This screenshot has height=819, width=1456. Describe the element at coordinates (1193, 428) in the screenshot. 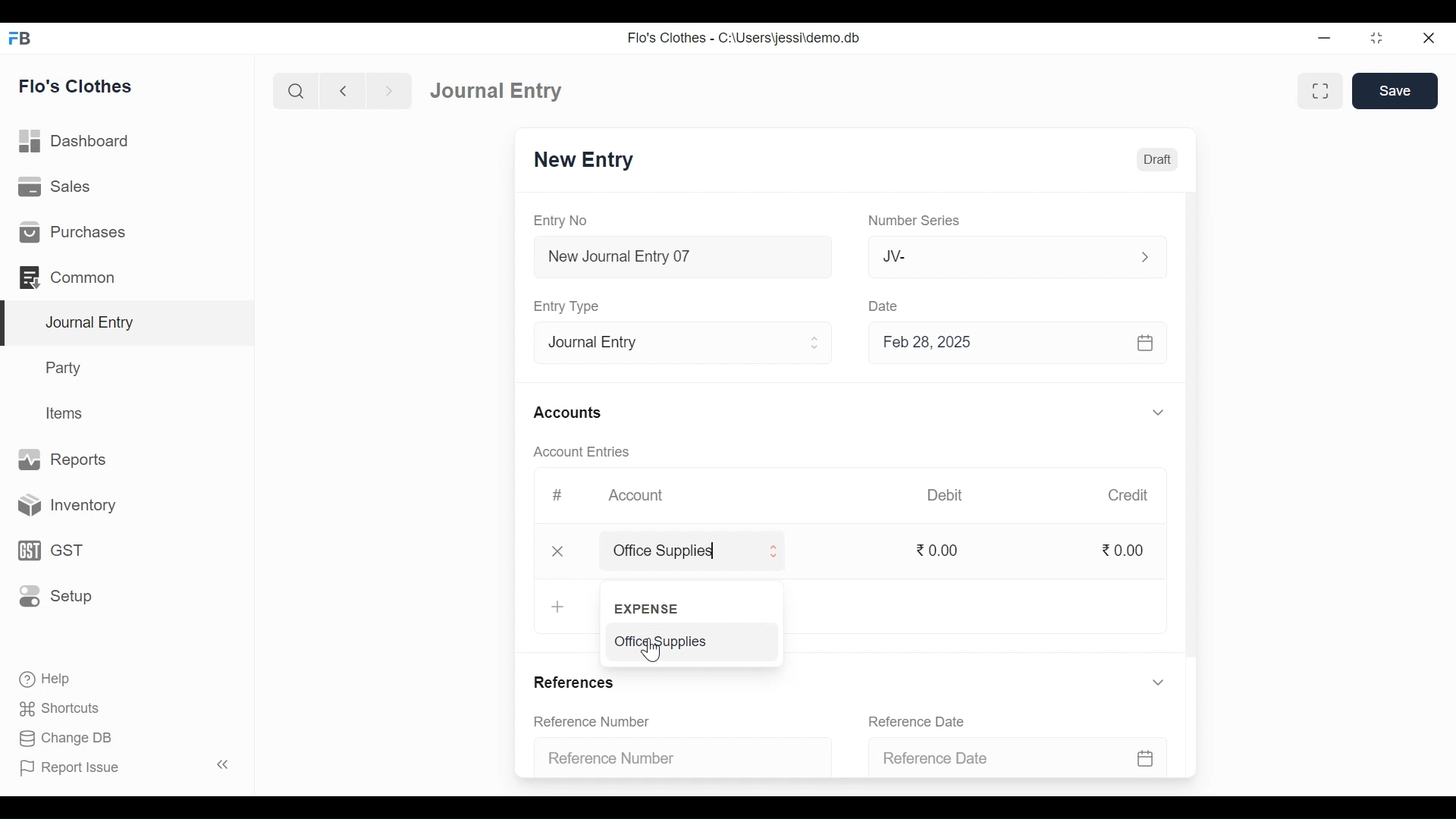

I see `Vertical Scroll bar` at that location.